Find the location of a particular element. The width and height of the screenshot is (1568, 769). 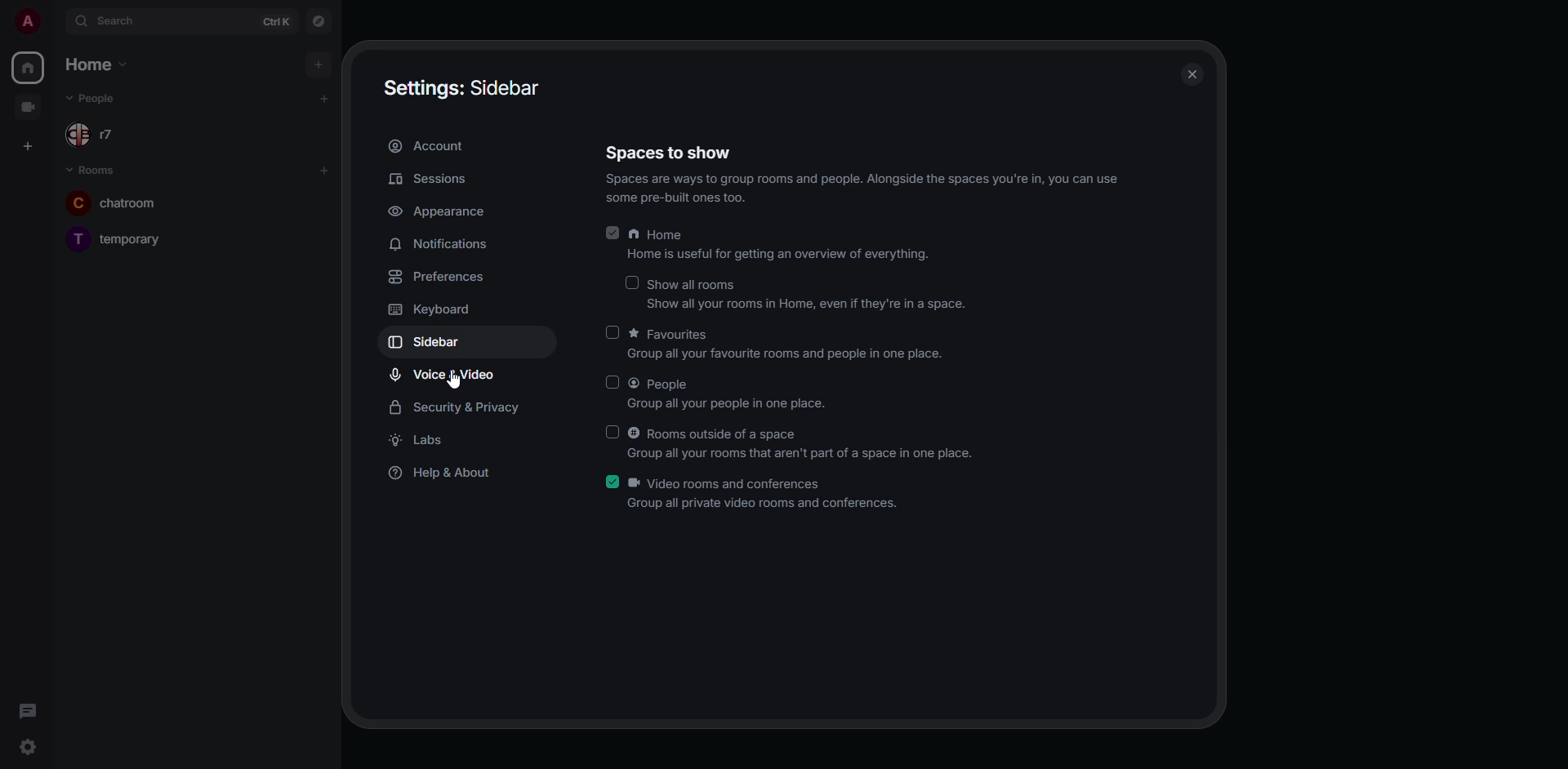

settings sidebar is located at coordinates (461, 85).